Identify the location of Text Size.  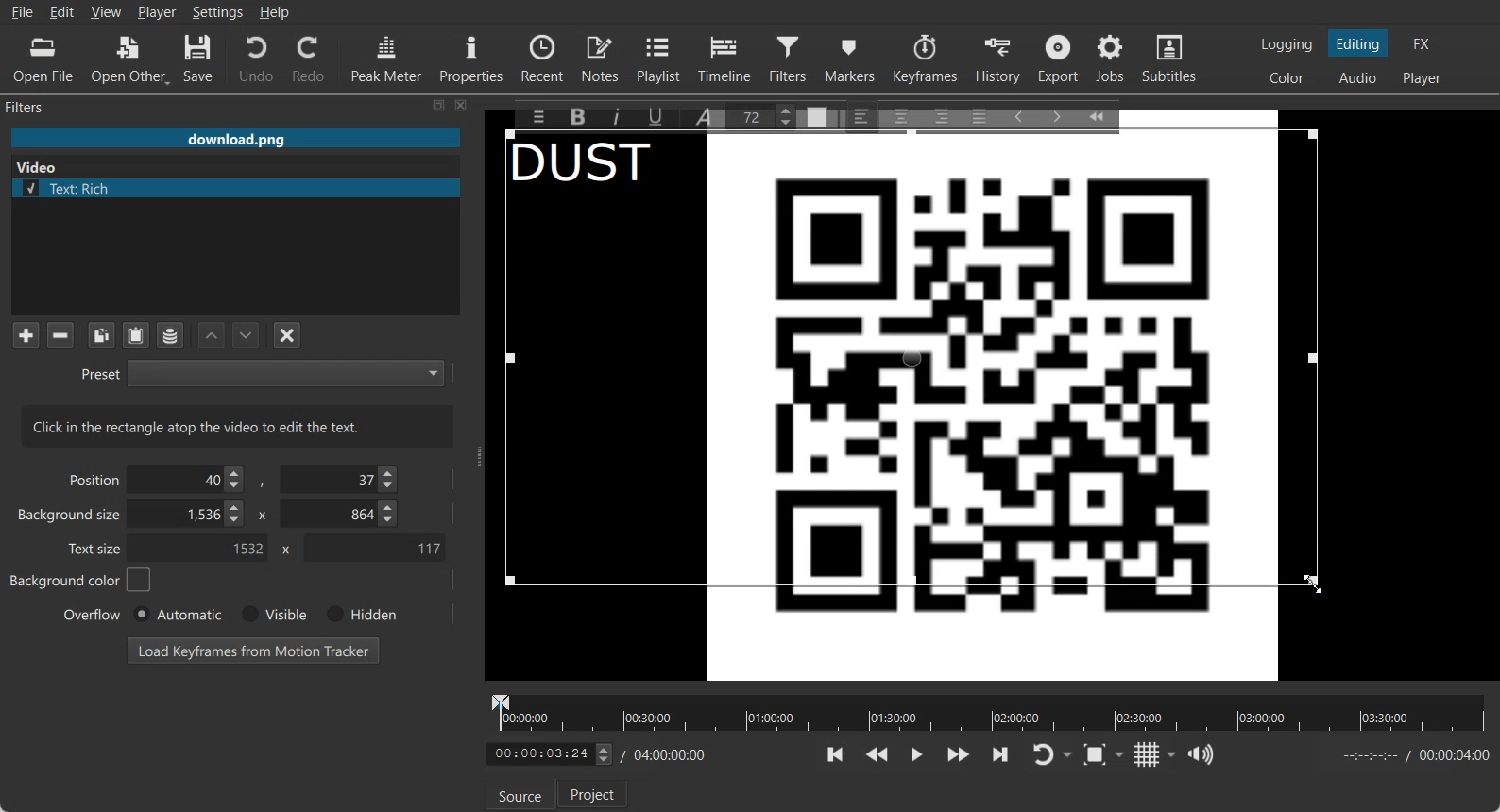
(765, 115).